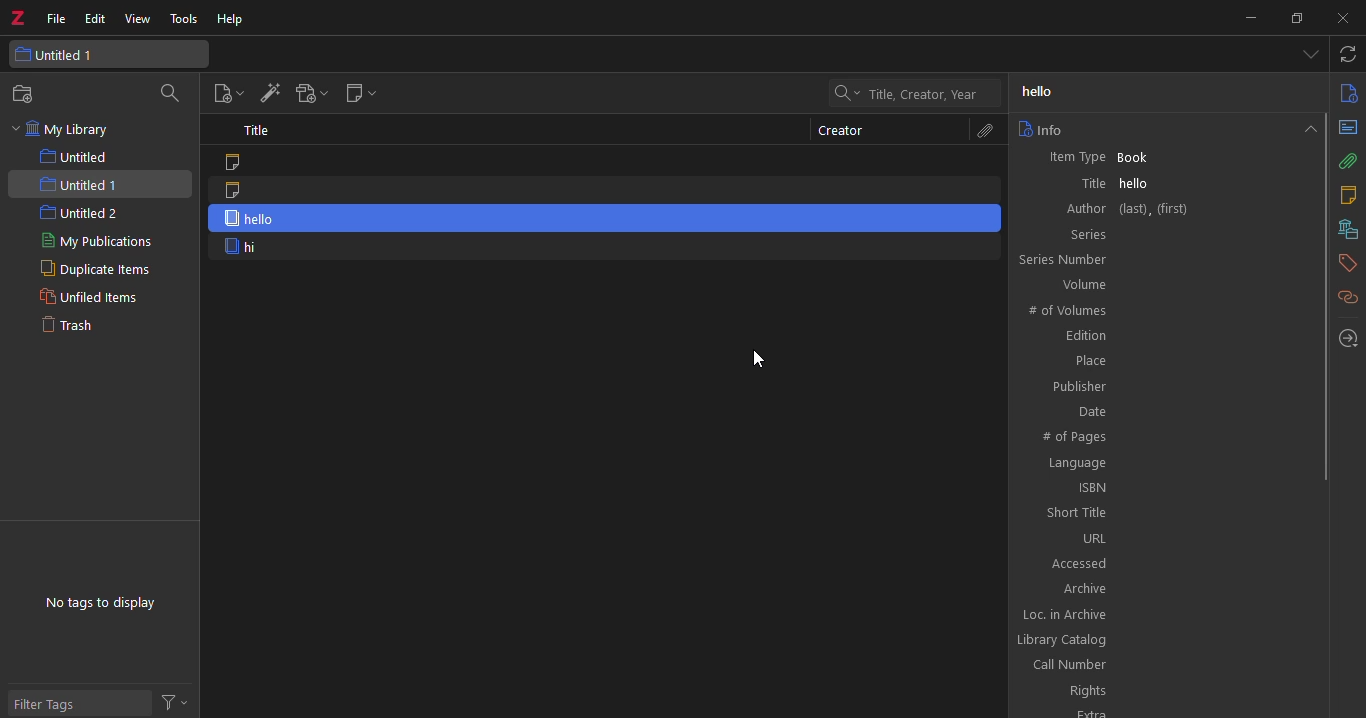  Describe the element at coordinates (1164, 387) in the screenshot. I see `publisher` at that location.